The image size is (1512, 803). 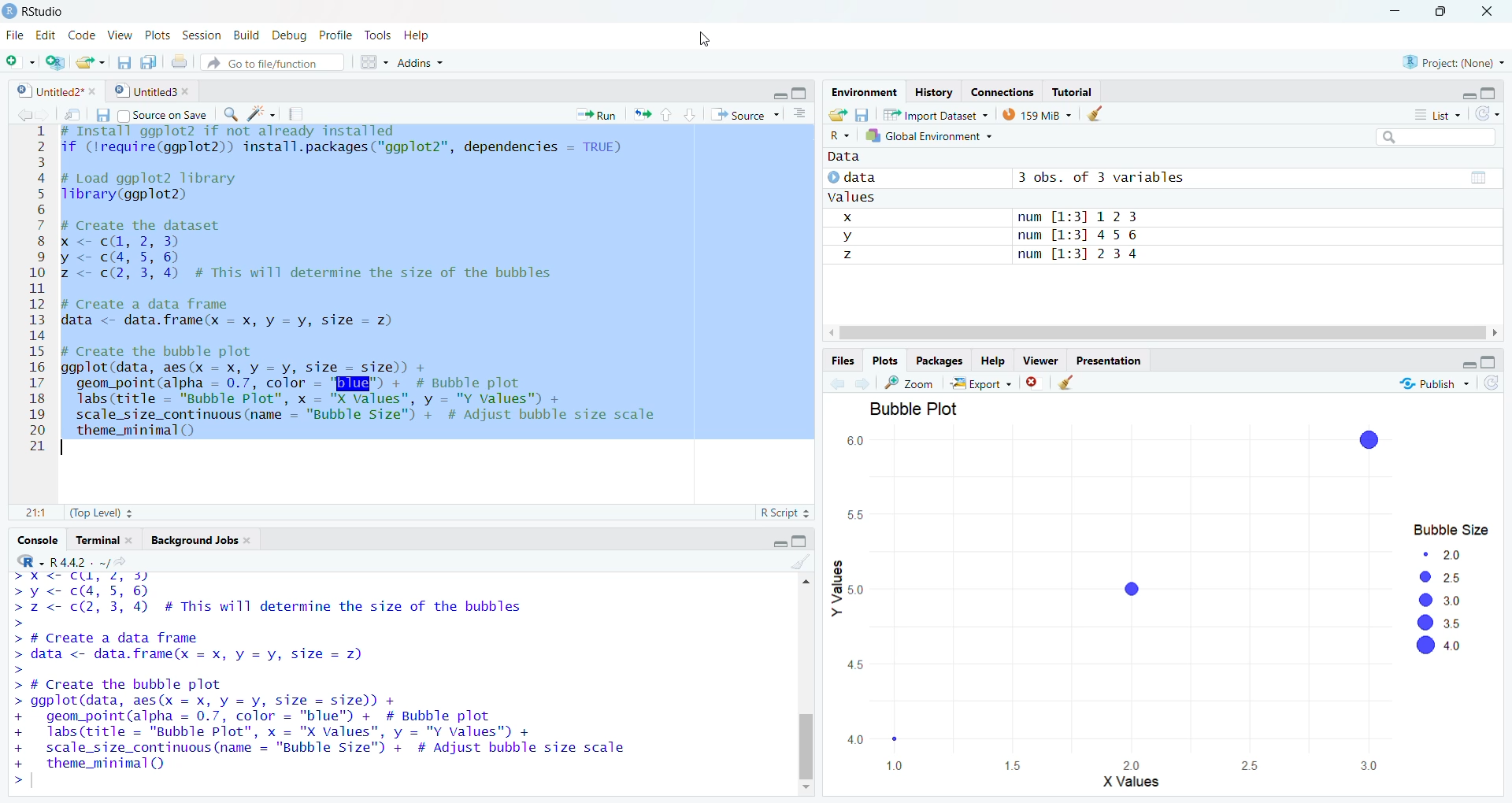 What do you see at coordinates (1392, 11) in the screenshot?
I see `minimize` at bounding box center [1392, 11].